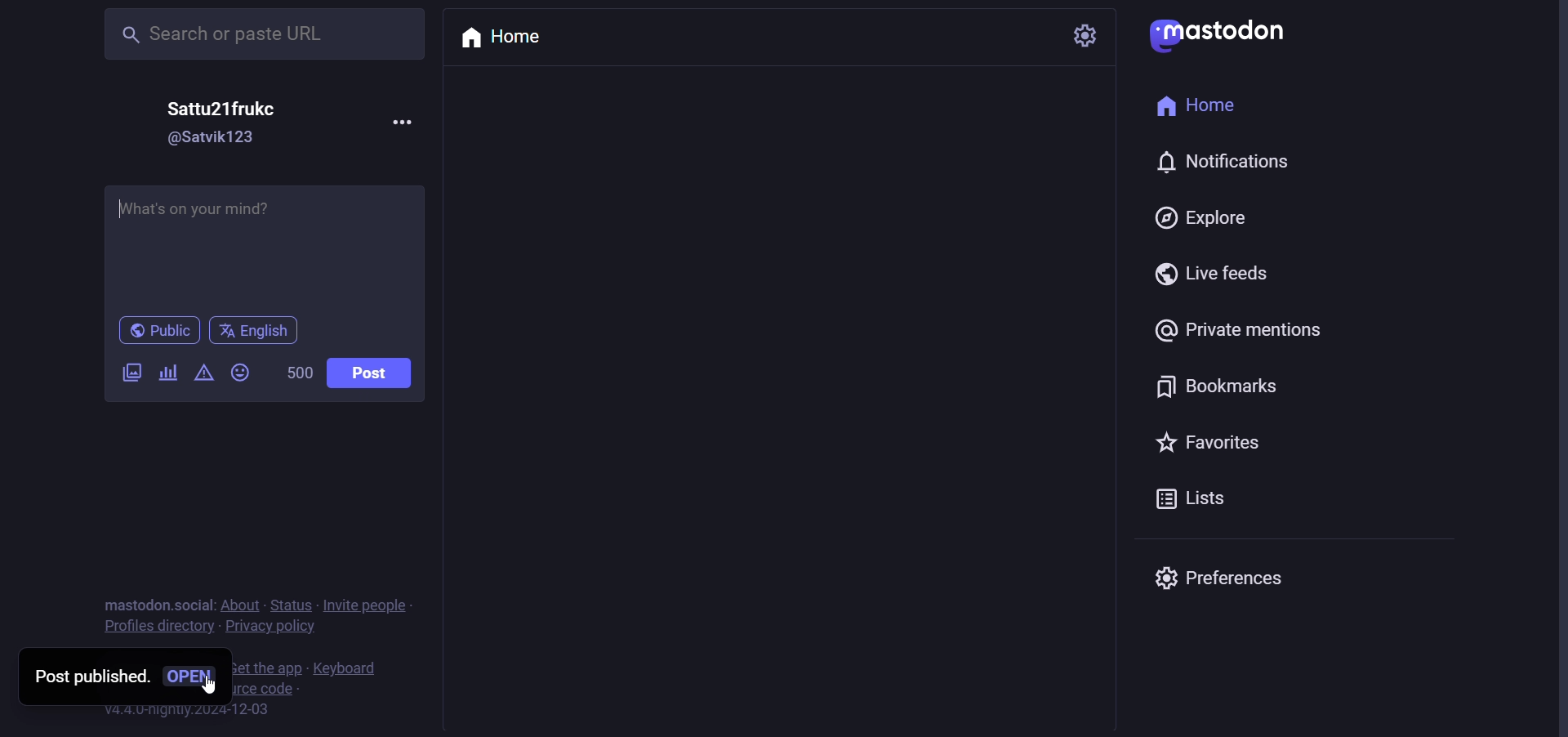  What do you see at coordinates (213, 683) in the screenshot?
I see `cursor` at bounding box center [213, 683].